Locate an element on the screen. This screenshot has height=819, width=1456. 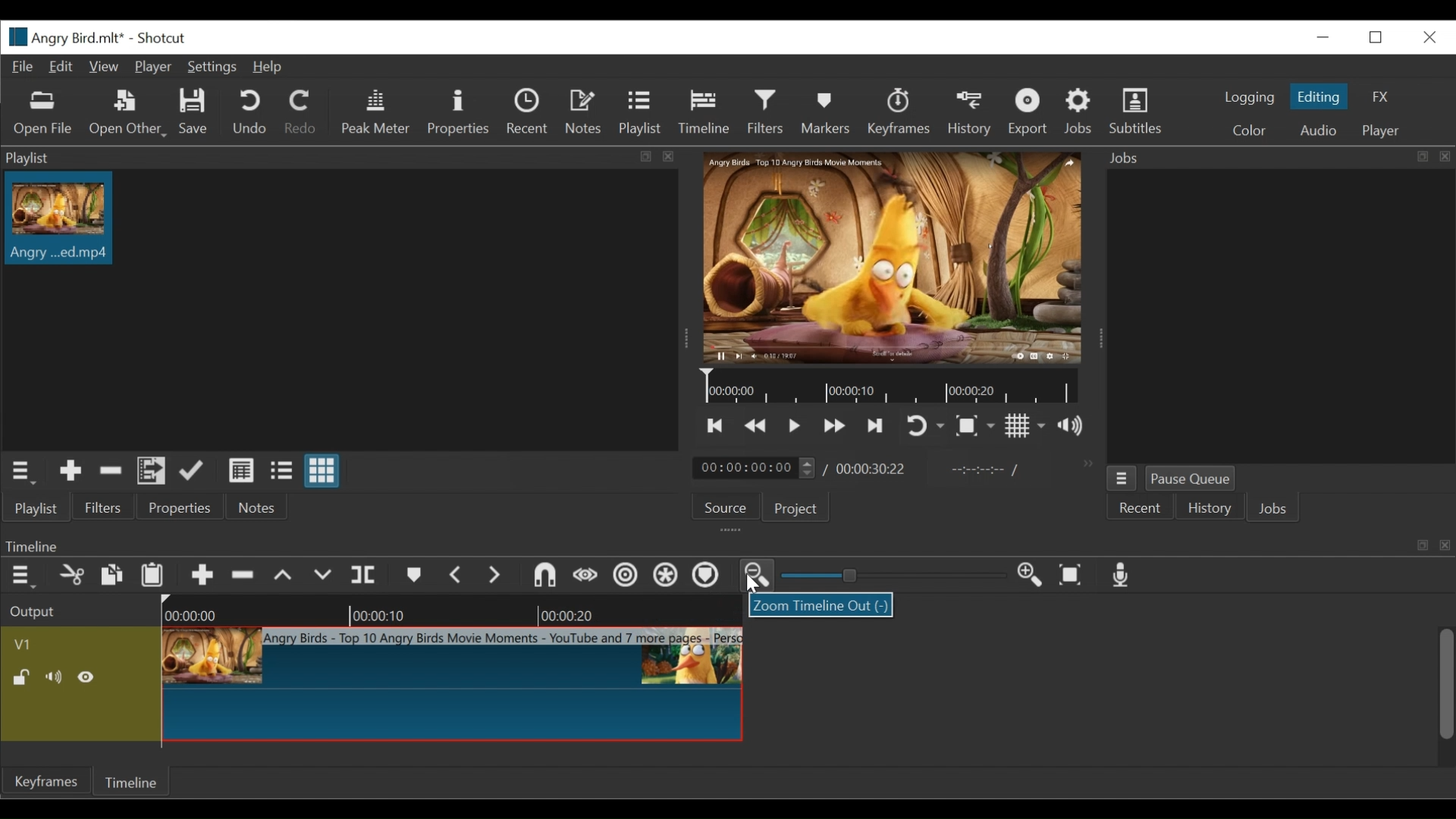
Help is located at coordinates (265, 67).